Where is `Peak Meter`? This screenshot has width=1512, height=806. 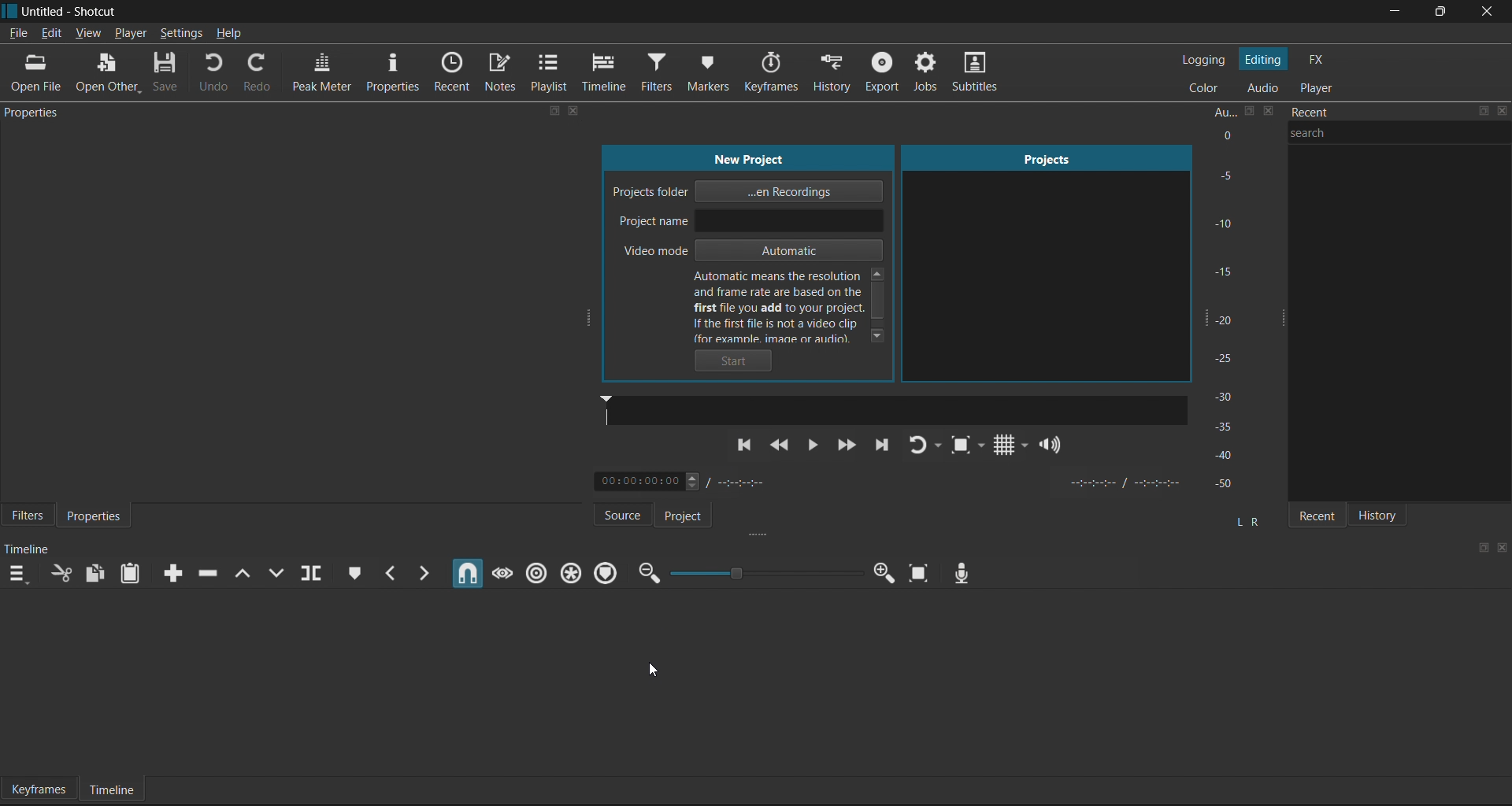
Peak Meter is located at coordinates (320, 74).